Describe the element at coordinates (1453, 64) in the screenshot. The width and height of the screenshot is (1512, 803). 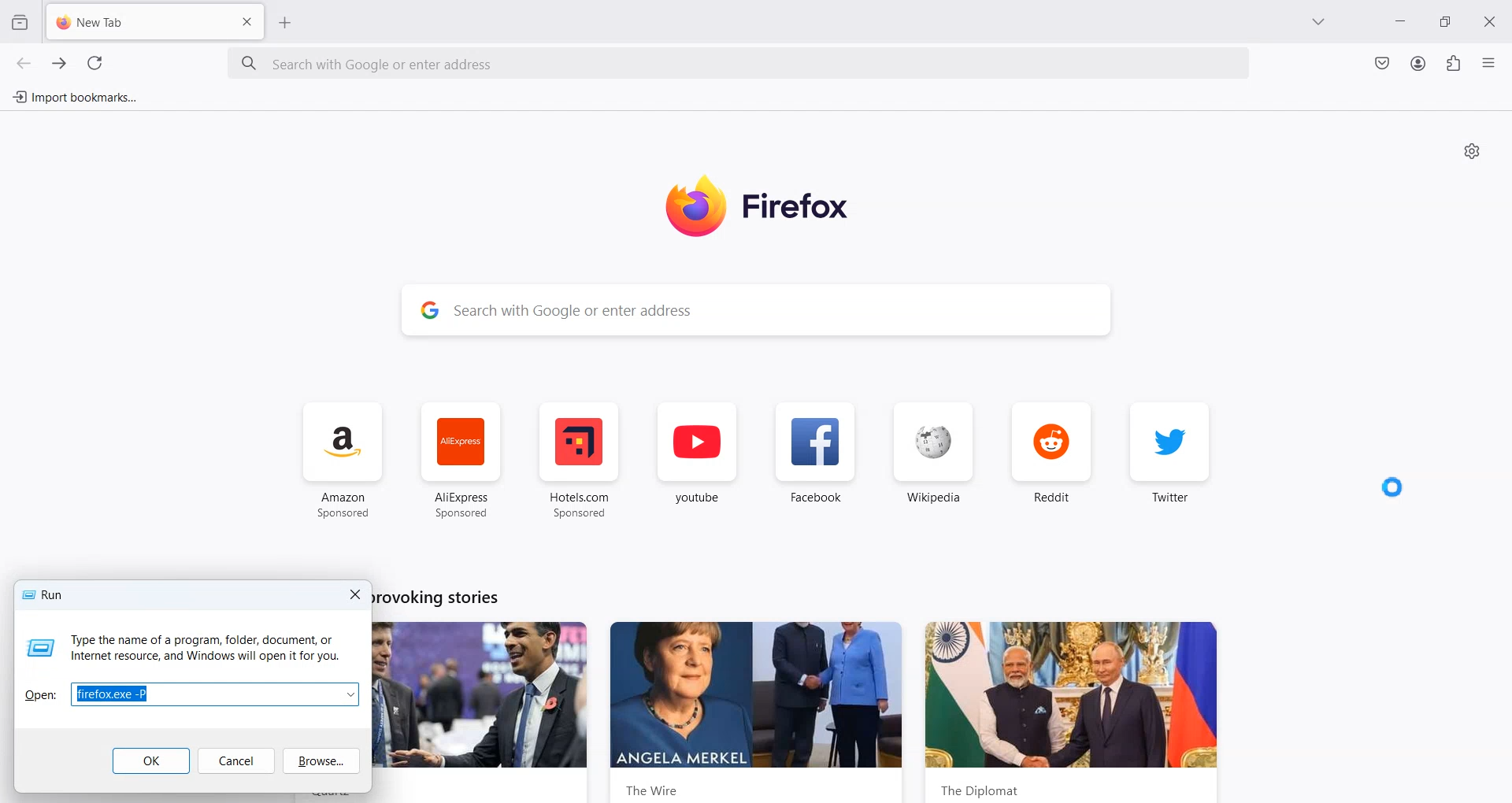
I see `Extensions` at that location.